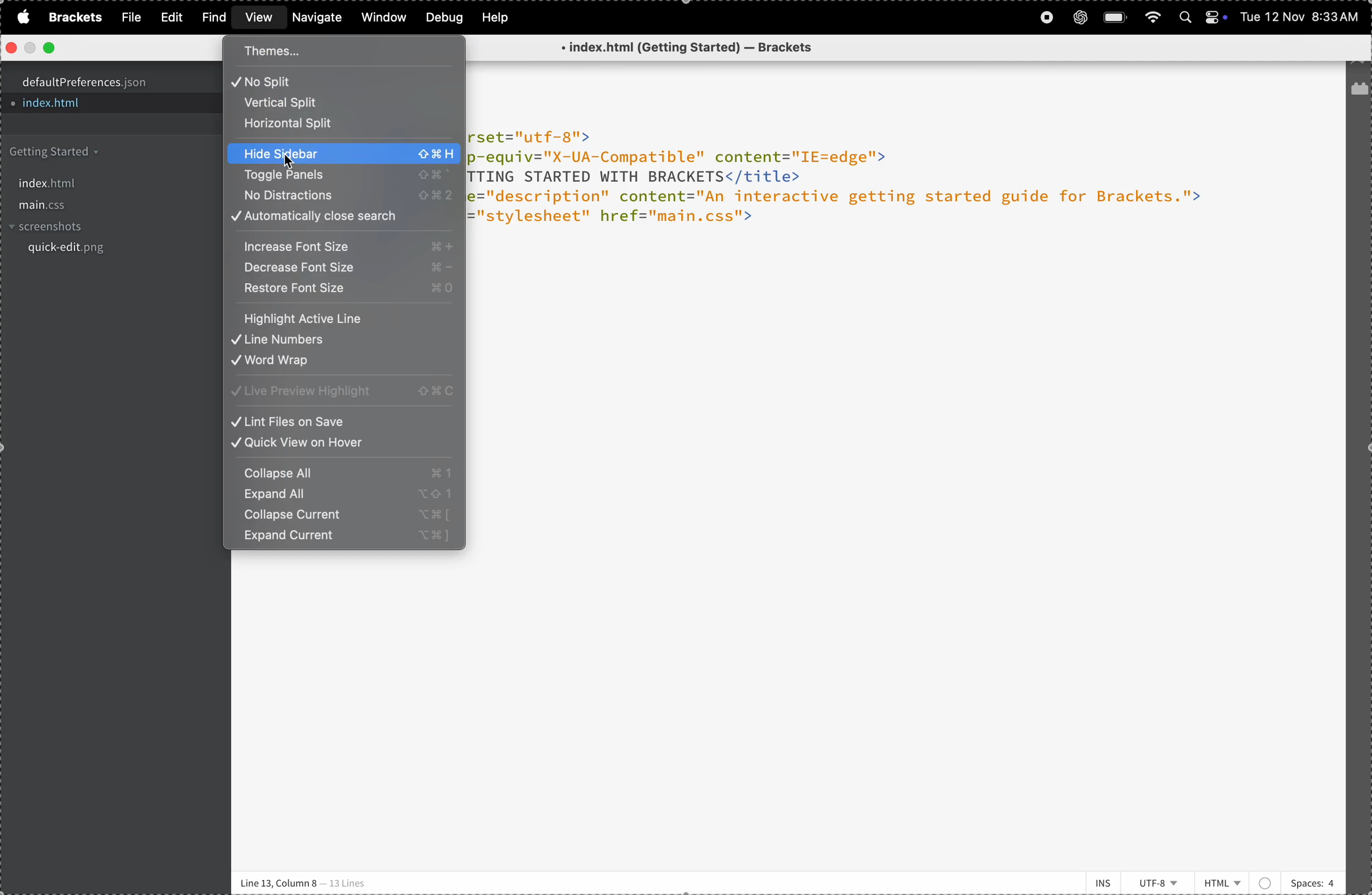 Image resolution: width=1372 pixels, height=895 pixels. I want to click on debug, so click(443, 17).